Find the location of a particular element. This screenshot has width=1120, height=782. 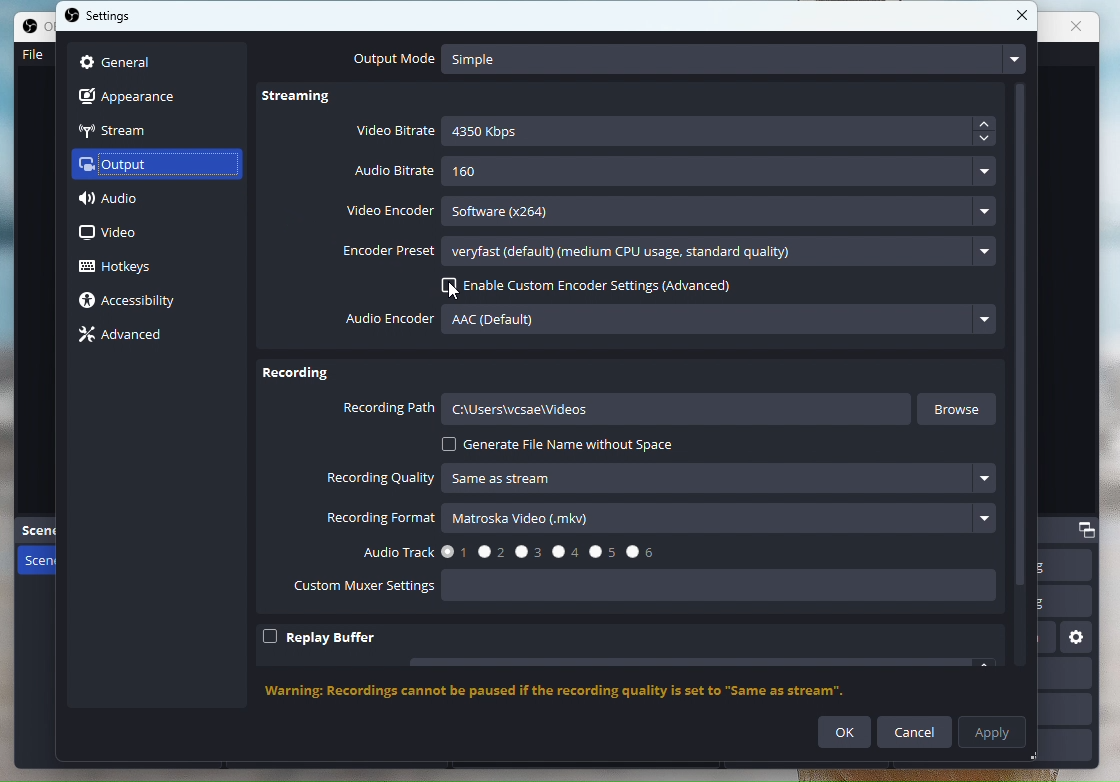

Recording qualitye is located at coordinates (661, 482).